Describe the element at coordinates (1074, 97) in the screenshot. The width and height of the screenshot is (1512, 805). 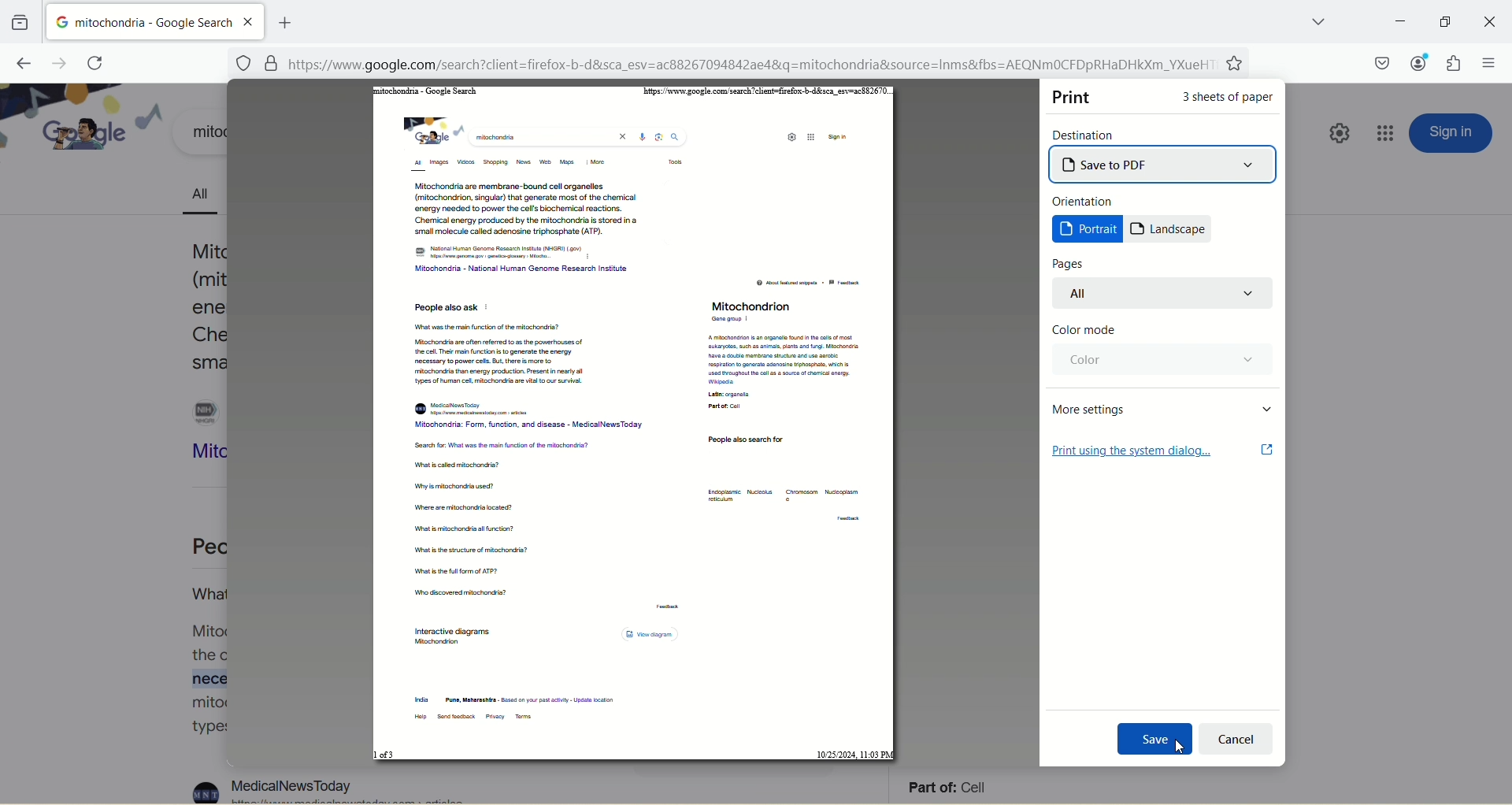
I see `print` at that location.